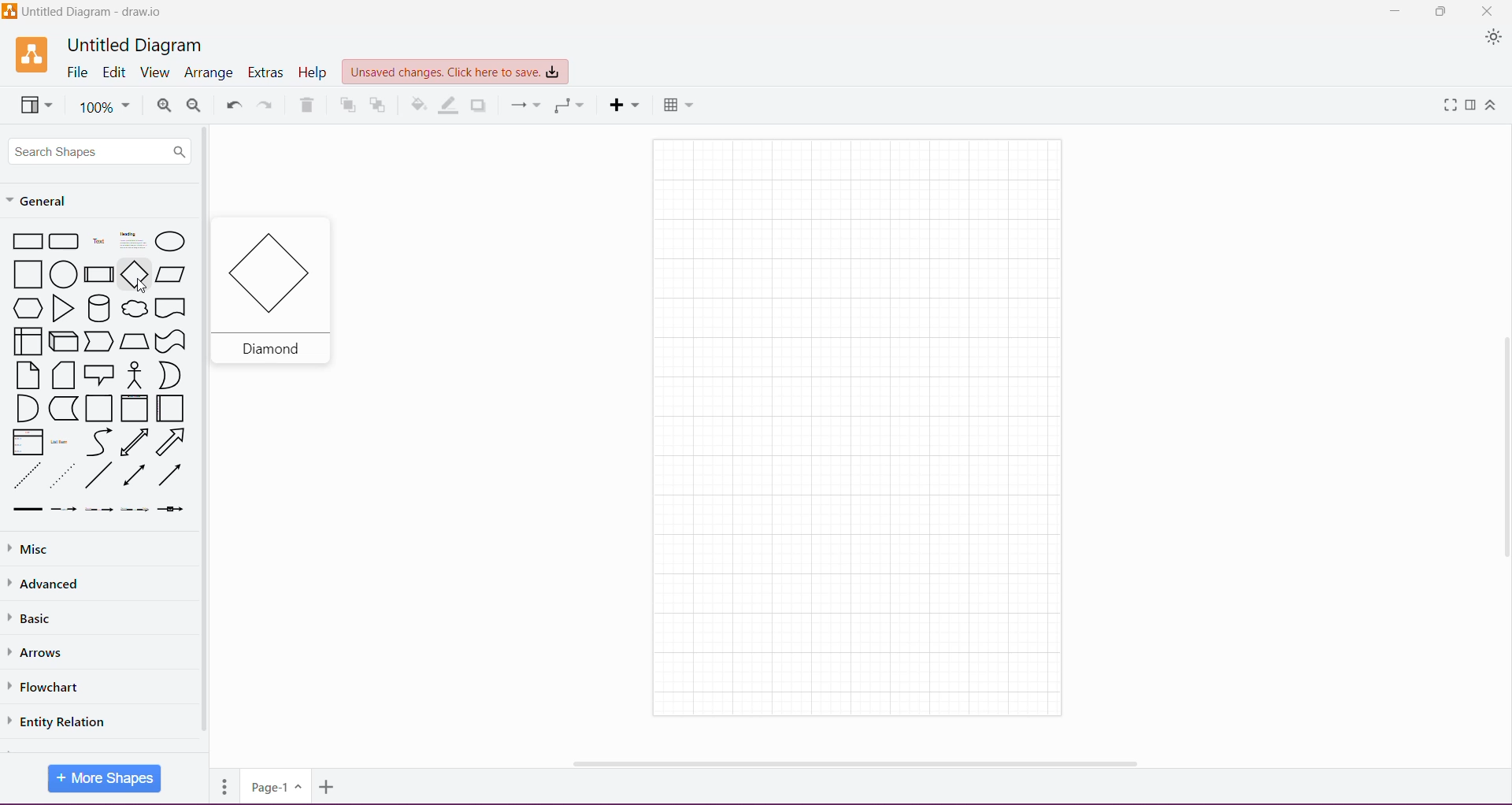 This screenshot has height=805, width=1512. What do you see at coordinates (164, 106) in the screenshot?
I see `Zoom In` at bounding box center [164, 106].